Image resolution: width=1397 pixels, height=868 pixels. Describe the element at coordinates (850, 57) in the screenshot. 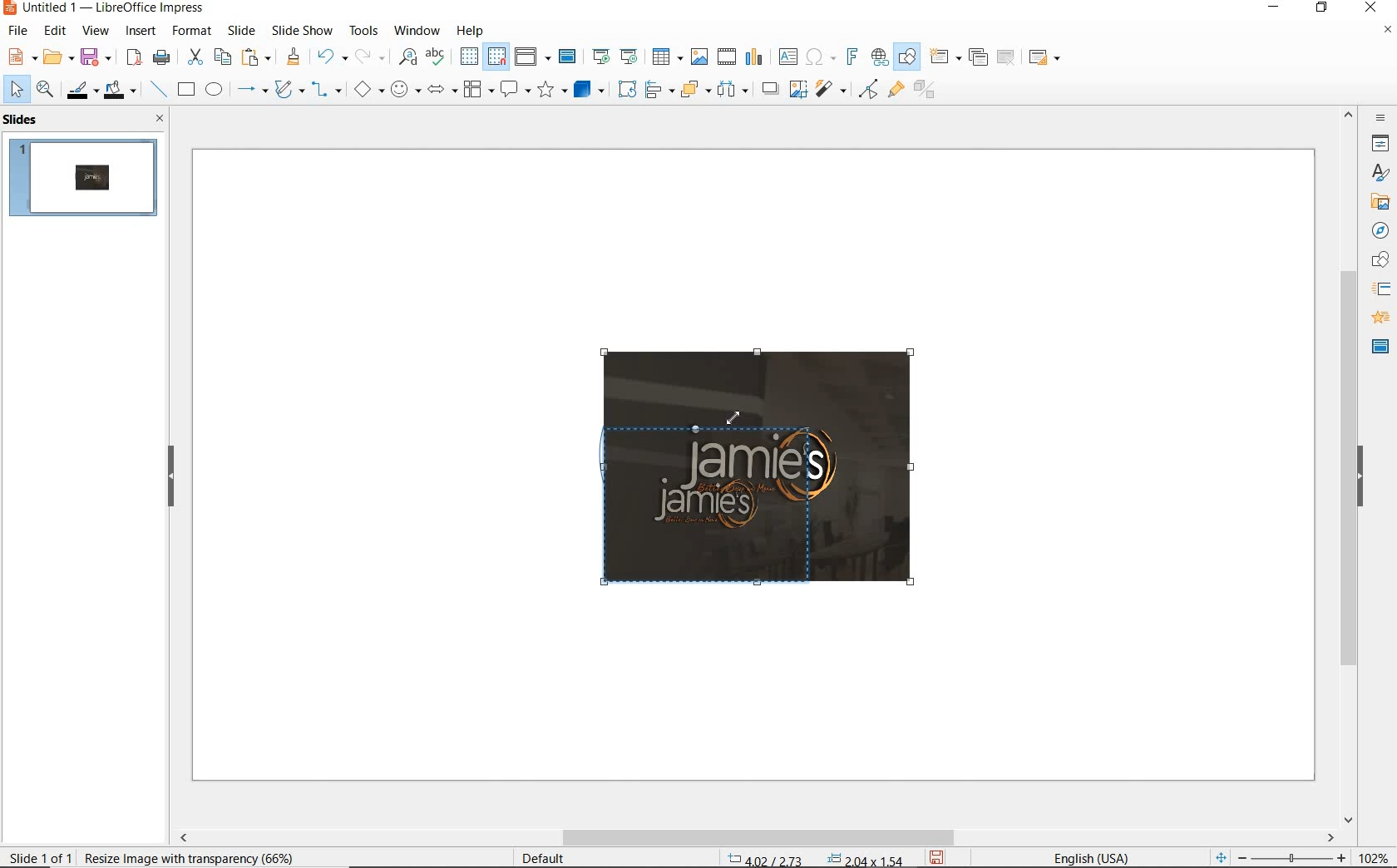

I see `insert fontwork text` at that location.